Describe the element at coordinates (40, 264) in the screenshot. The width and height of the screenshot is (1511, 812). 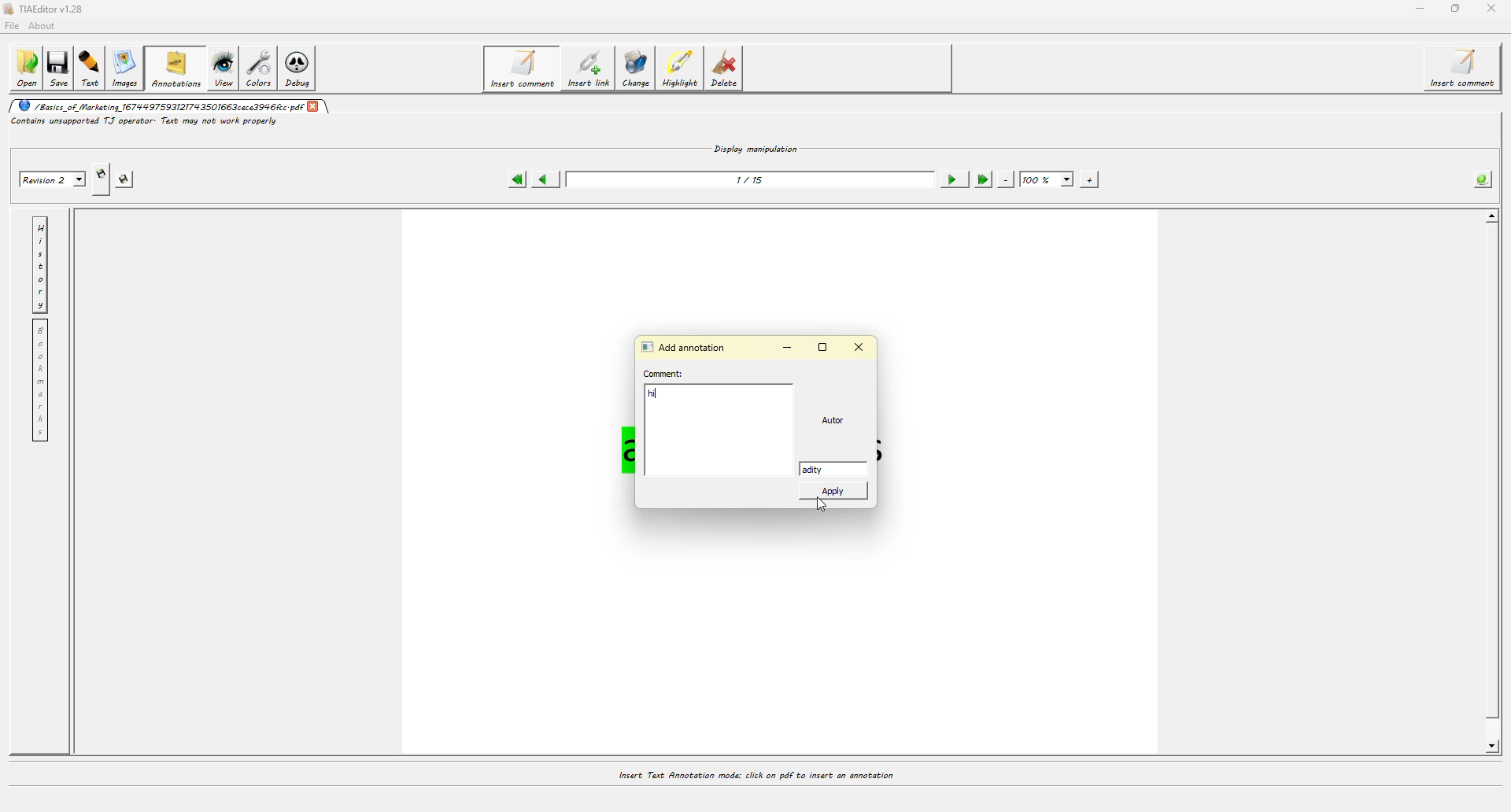
I see `history` at that location.